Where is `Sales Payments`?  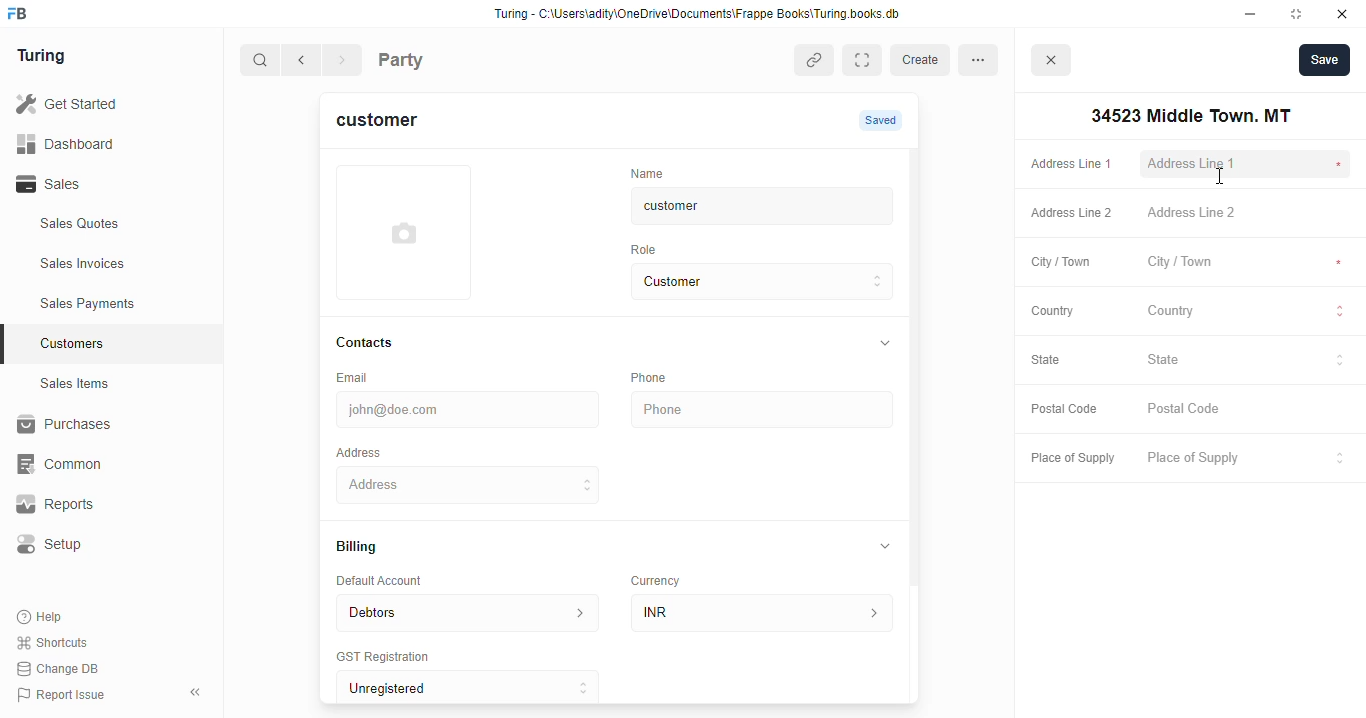
Sales Payments is located at coordinates (118, 304).